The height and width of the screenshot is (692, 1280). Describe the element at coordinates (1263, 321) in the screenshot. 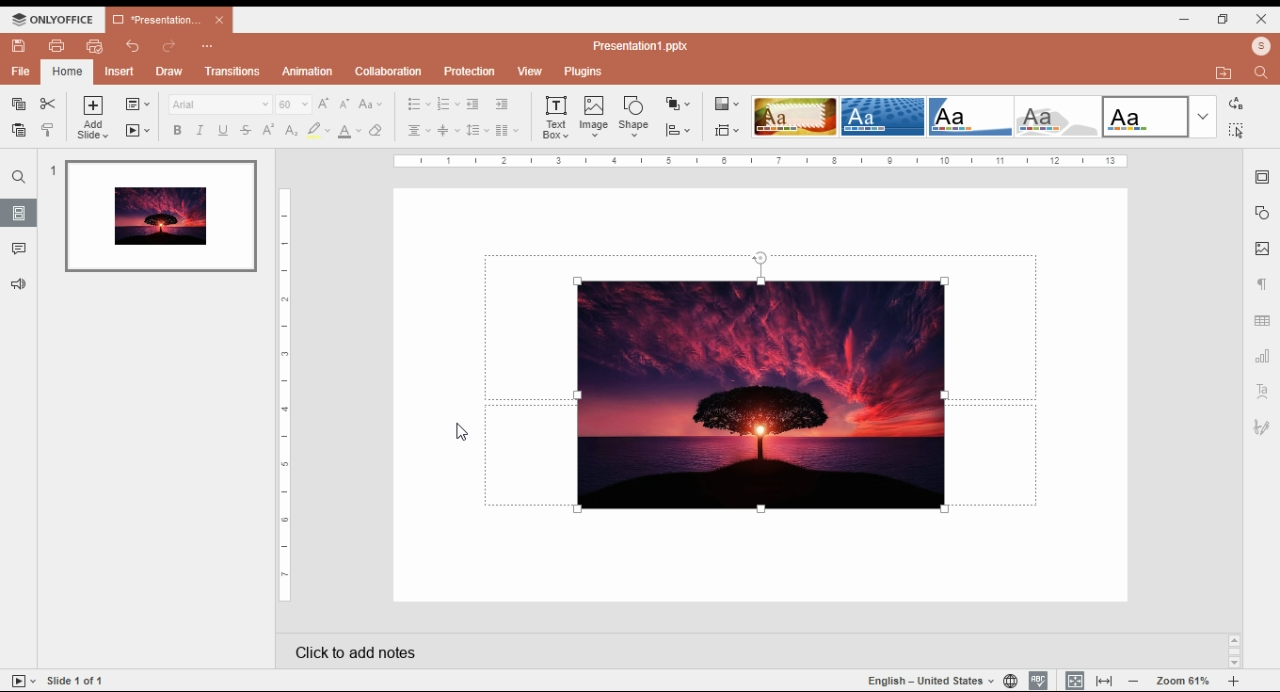

I see `table  settings` at that location.